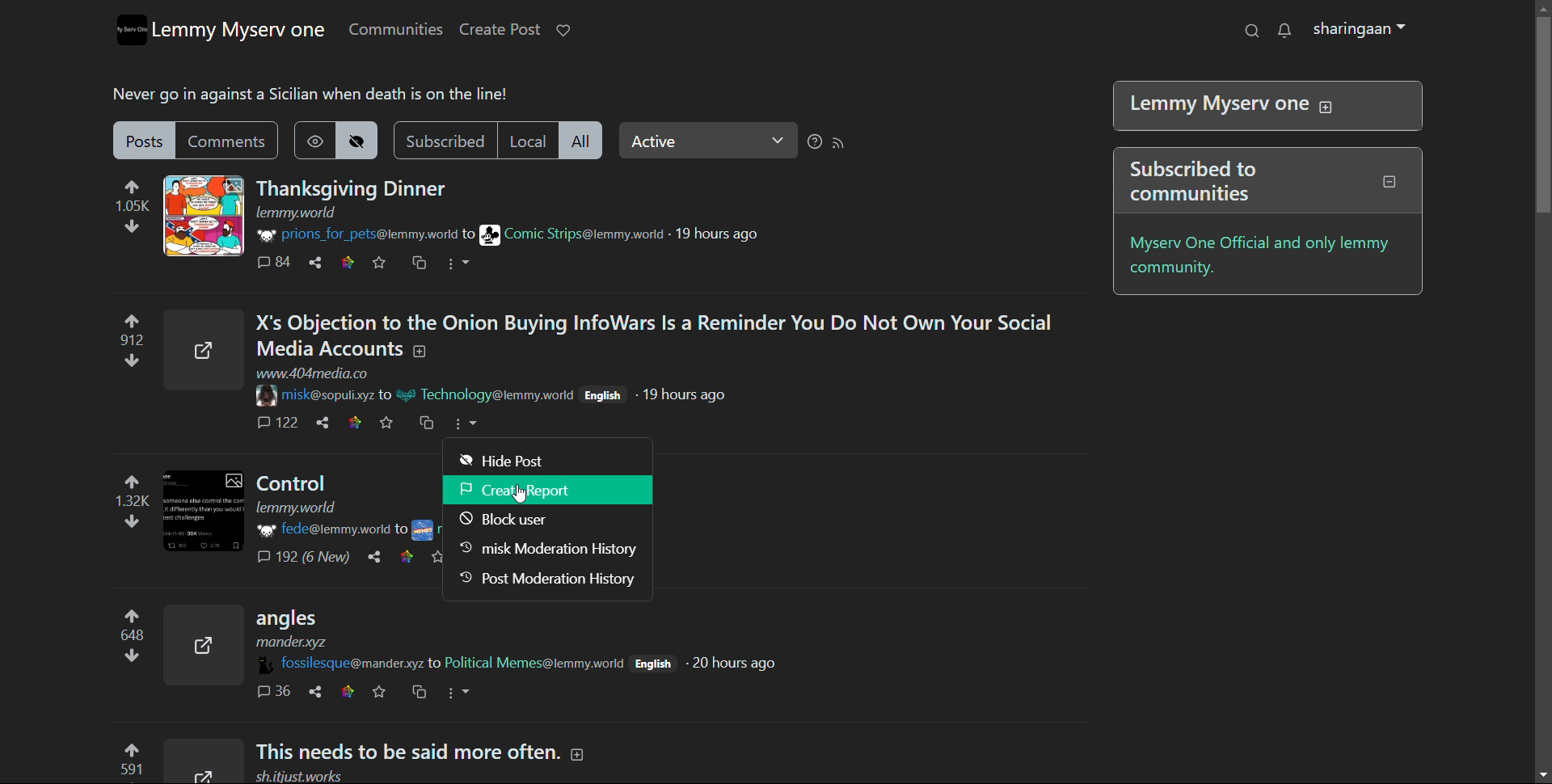  What do you see at coordinates (547, 580) in the screenshot?
I see `post moderation history` at bounding box center [547, 580].